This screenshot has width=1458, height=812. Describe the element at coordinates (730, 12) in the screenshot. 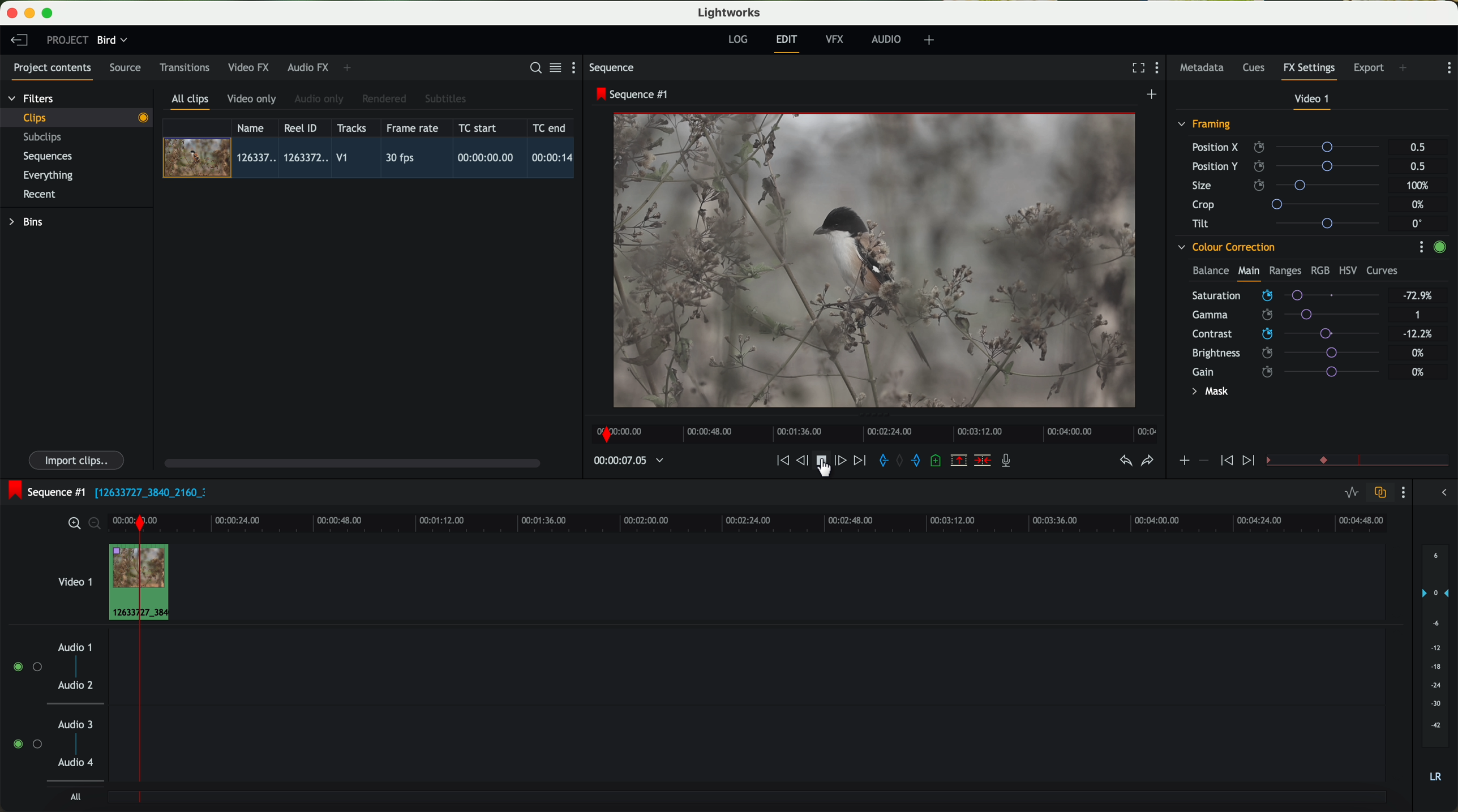

I see `Lightworks` at that location.